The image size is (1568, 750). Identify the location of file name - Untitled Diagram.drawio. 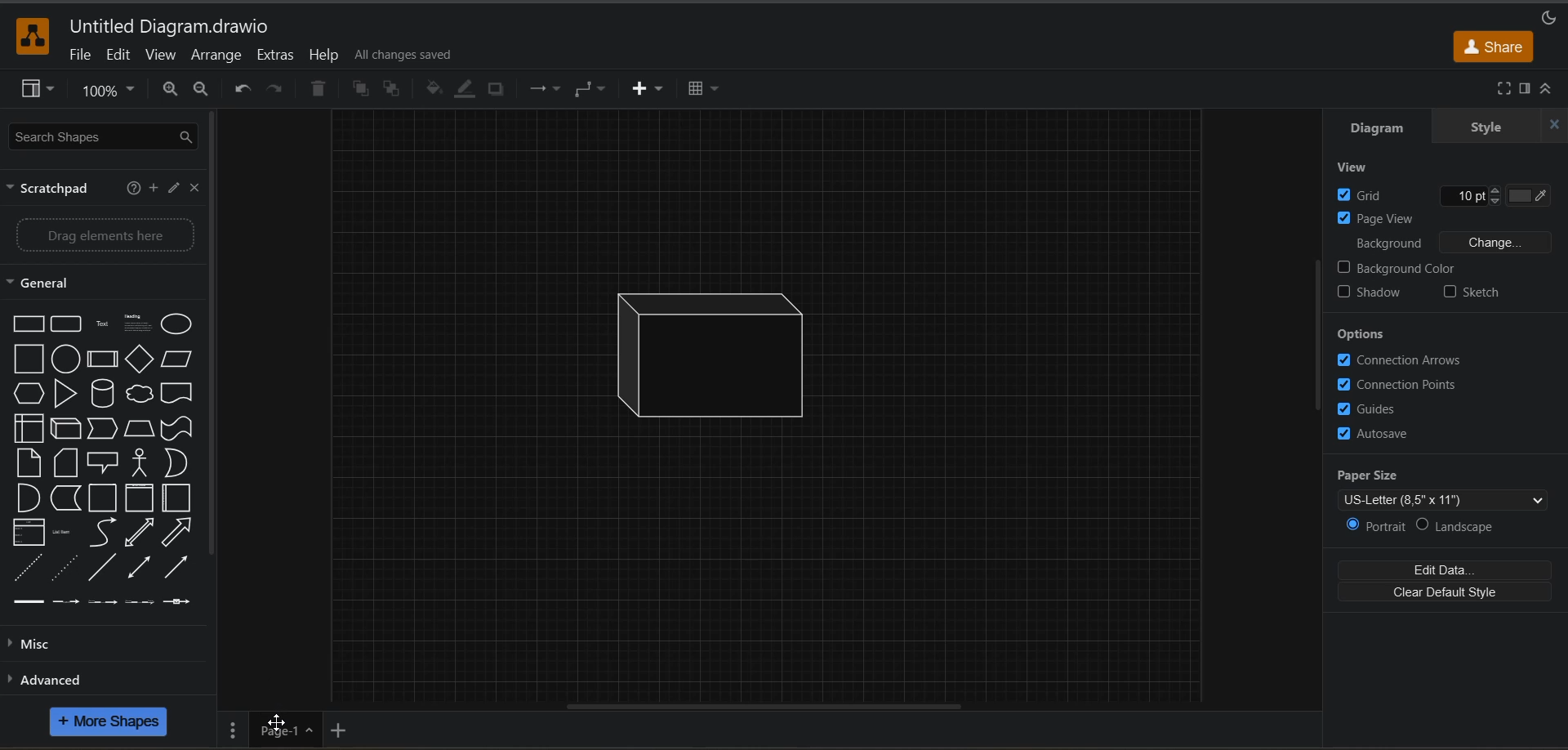
(175, 26).